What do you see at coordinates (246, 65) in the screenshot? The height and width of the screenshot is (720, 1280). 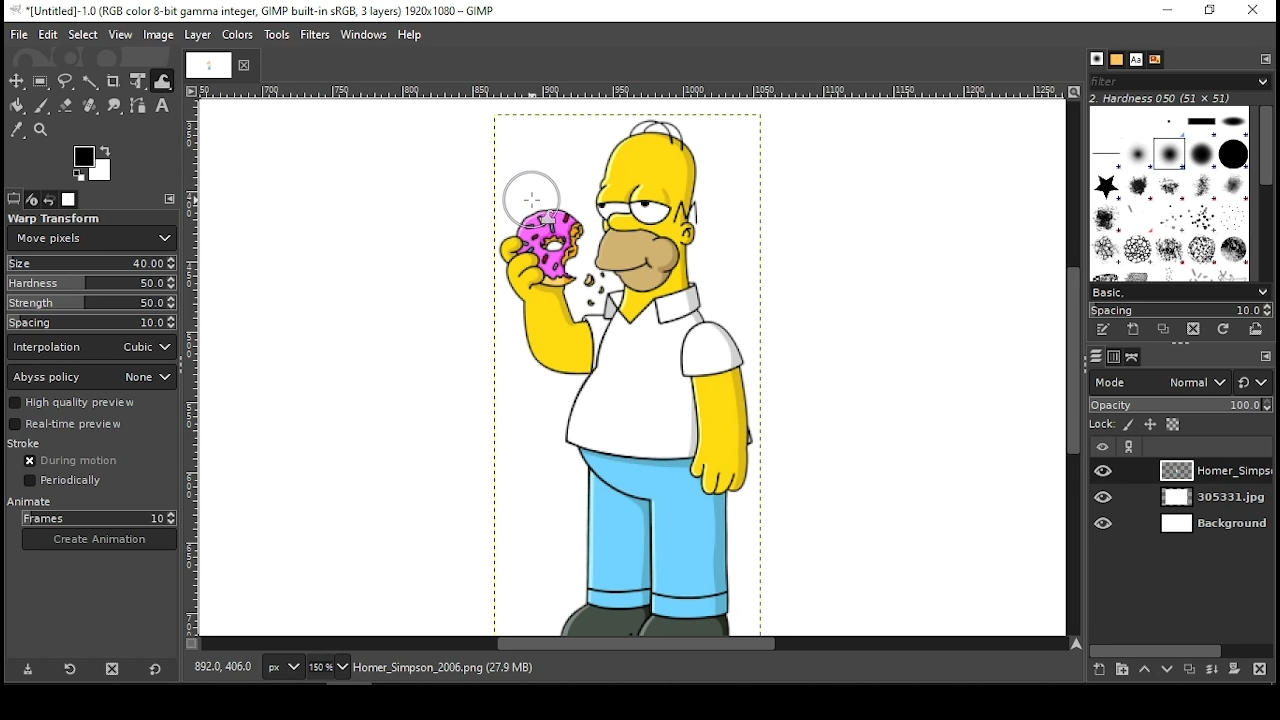 I see `close` at bounding box center [246, 65].